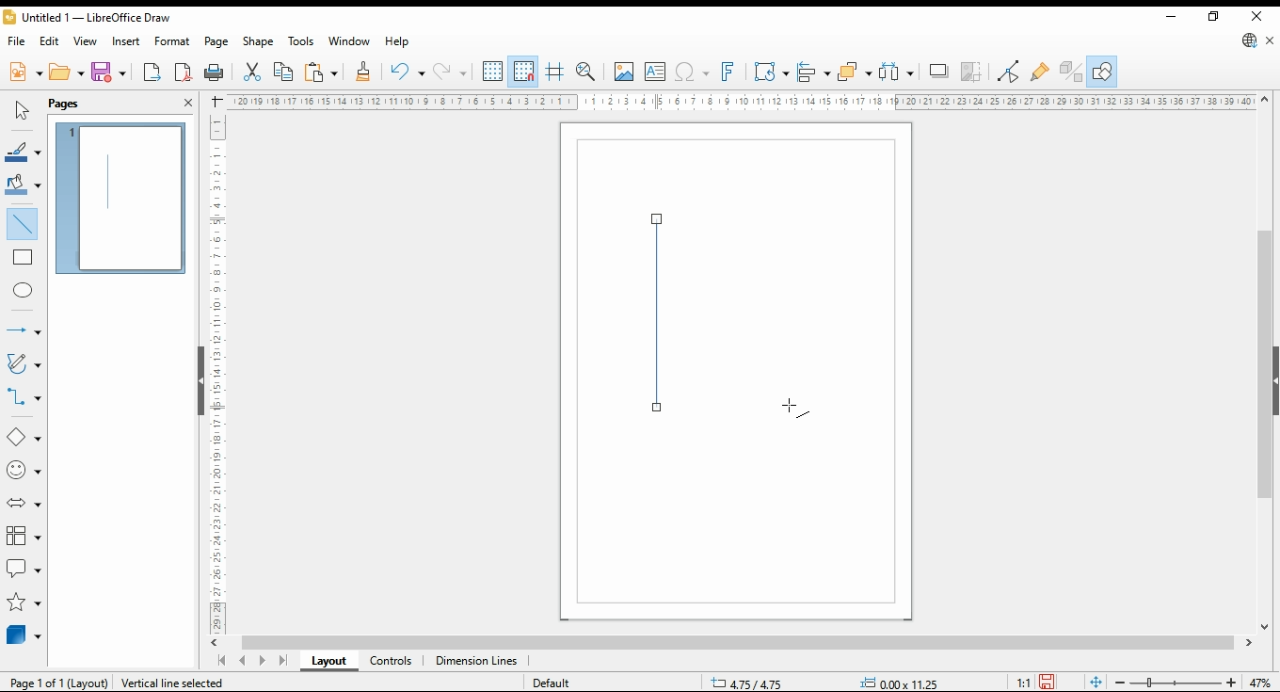 The height and width of the screenshot is (692, 1280). Describe the element at coordinates (771, 72) in the screenshot. I see `transformations` at that location.